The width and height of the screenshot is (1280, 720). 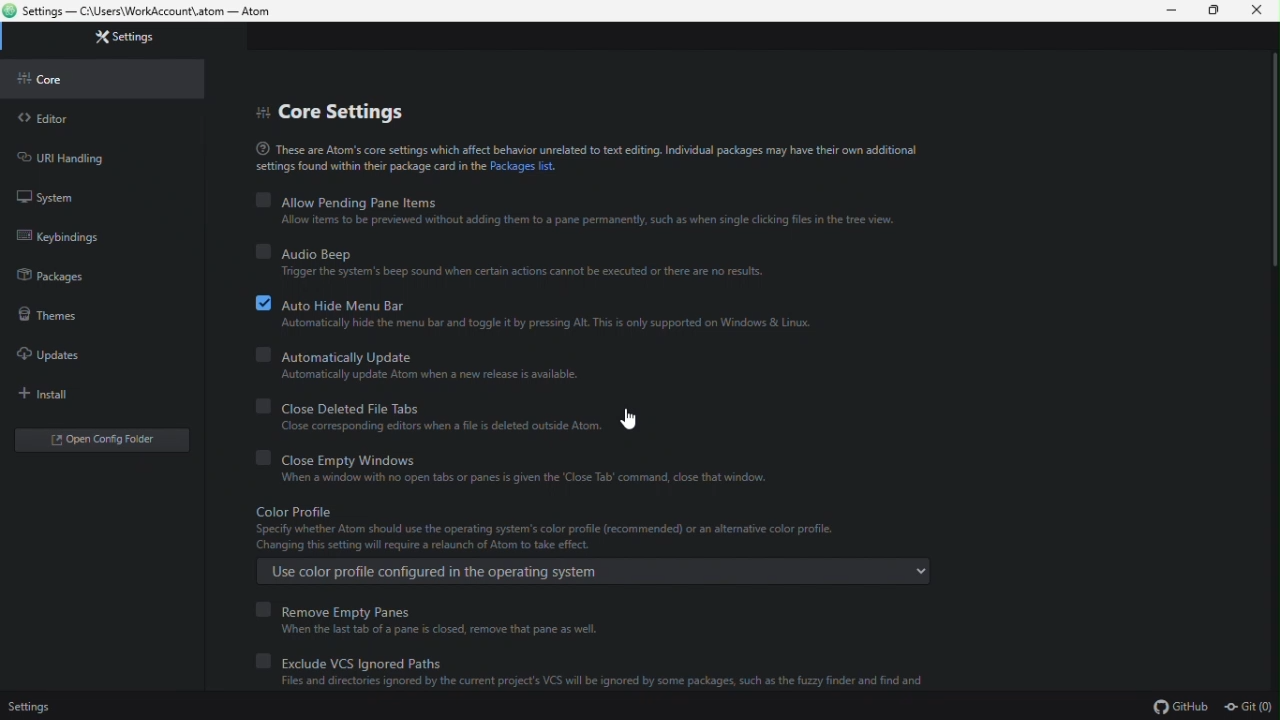 What do you see at coordinates (102, 440) in the screenshot?
I see `open Config editor` at bounding box center [102, 440].